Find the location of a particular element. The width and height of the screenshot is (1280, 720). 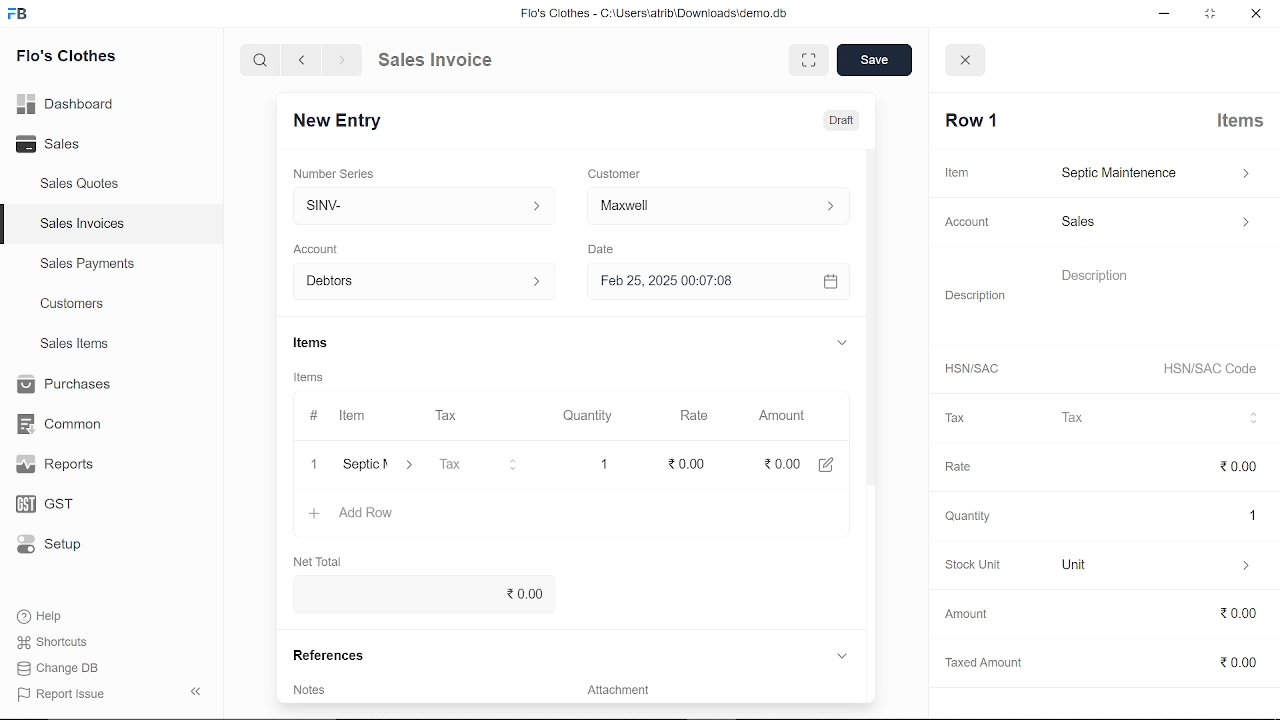

Setup is located at coordinates (54, 544).